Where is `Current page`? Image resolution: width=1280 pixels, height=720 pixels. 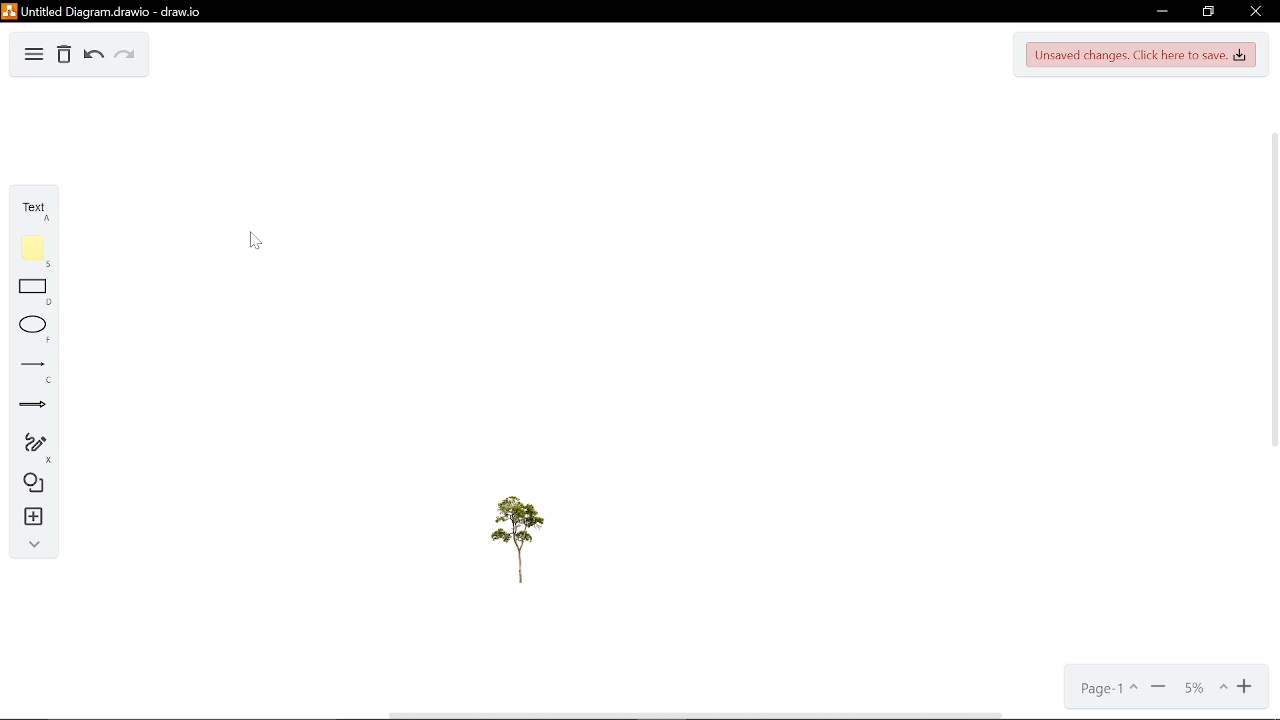 Current page is located at coordinates (1102, 690).